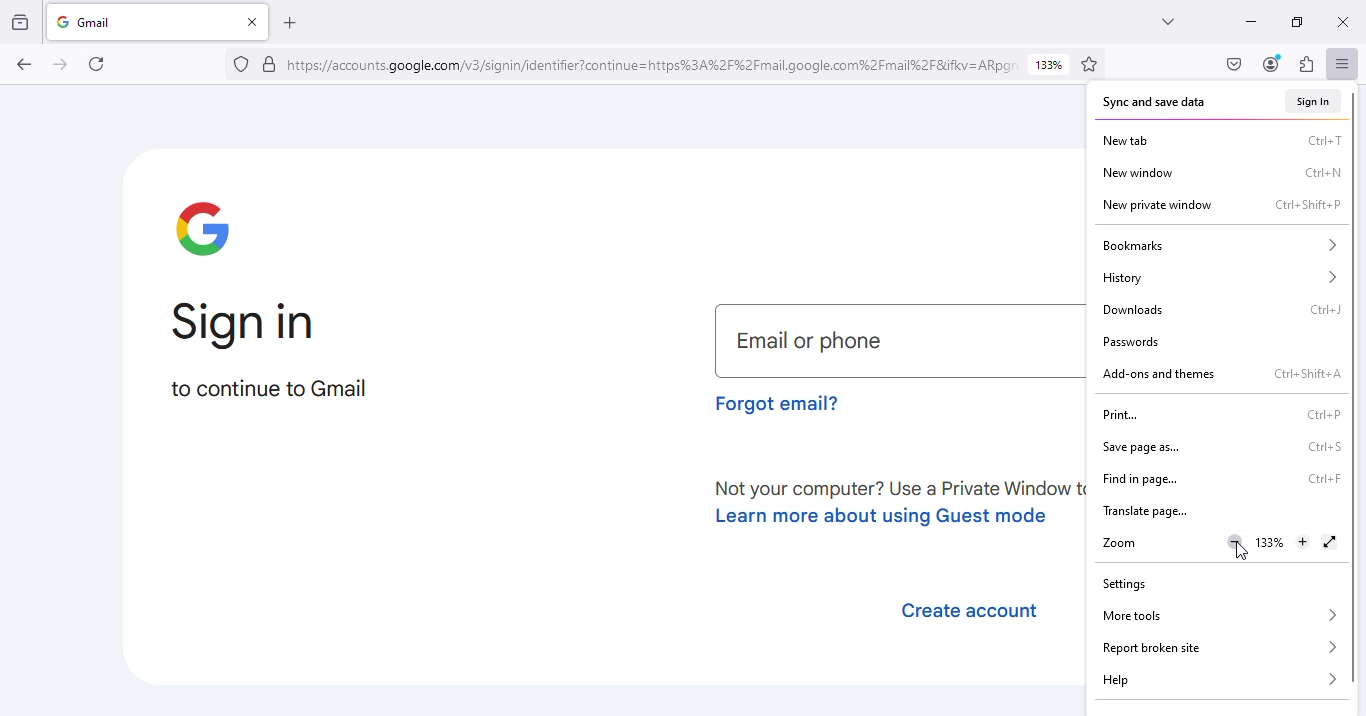 The image size is (1366, 716). What do you see at coordinates (777, 404) in the screenshot?
I see `forgot email?` at bounding box center [777, 404].